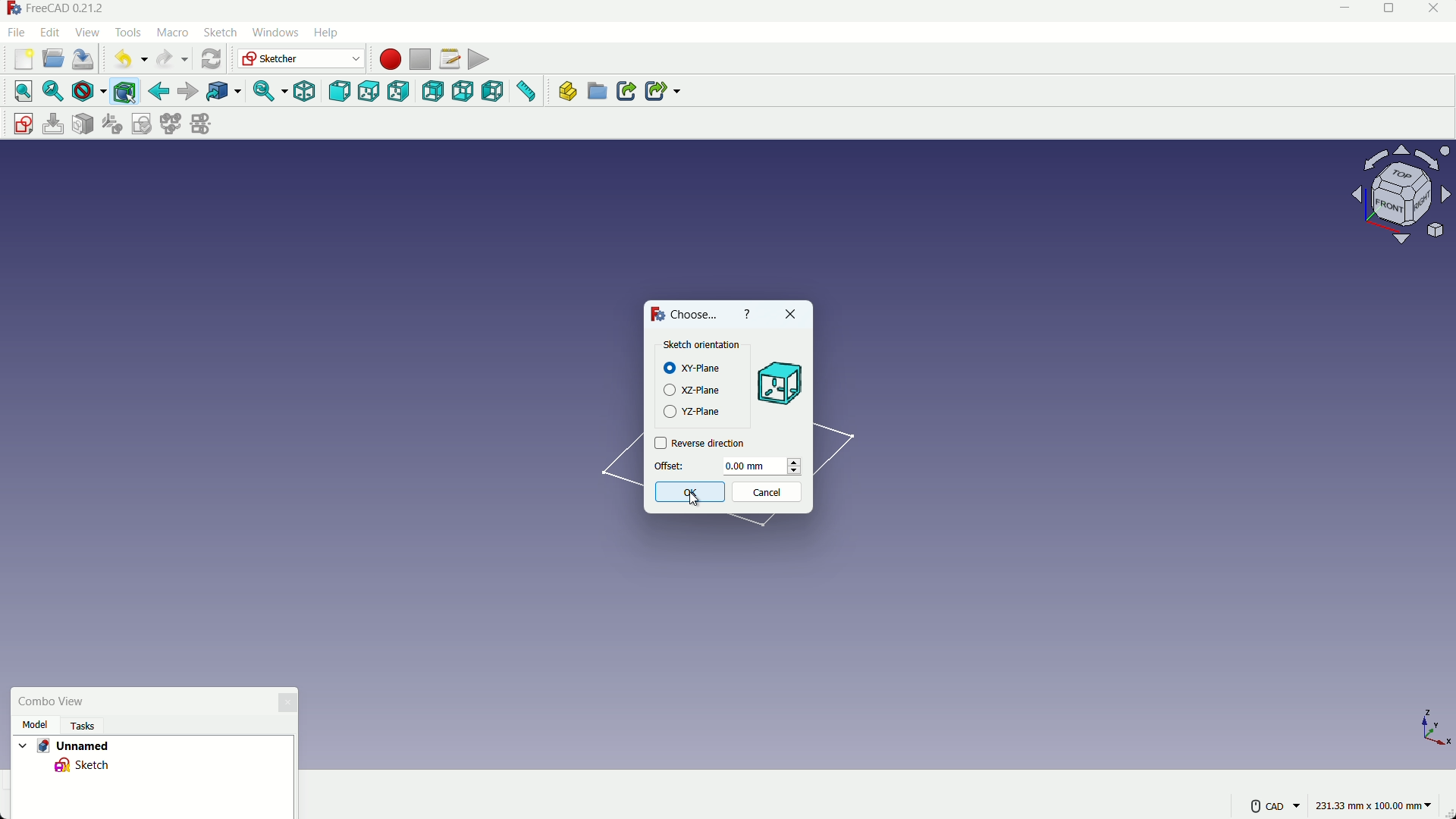 This screenshot has height=819, width=1456. What do you see at coordinates (213, 58) in the screenshot?
I see `refresh` at bounding box center [213, 58].